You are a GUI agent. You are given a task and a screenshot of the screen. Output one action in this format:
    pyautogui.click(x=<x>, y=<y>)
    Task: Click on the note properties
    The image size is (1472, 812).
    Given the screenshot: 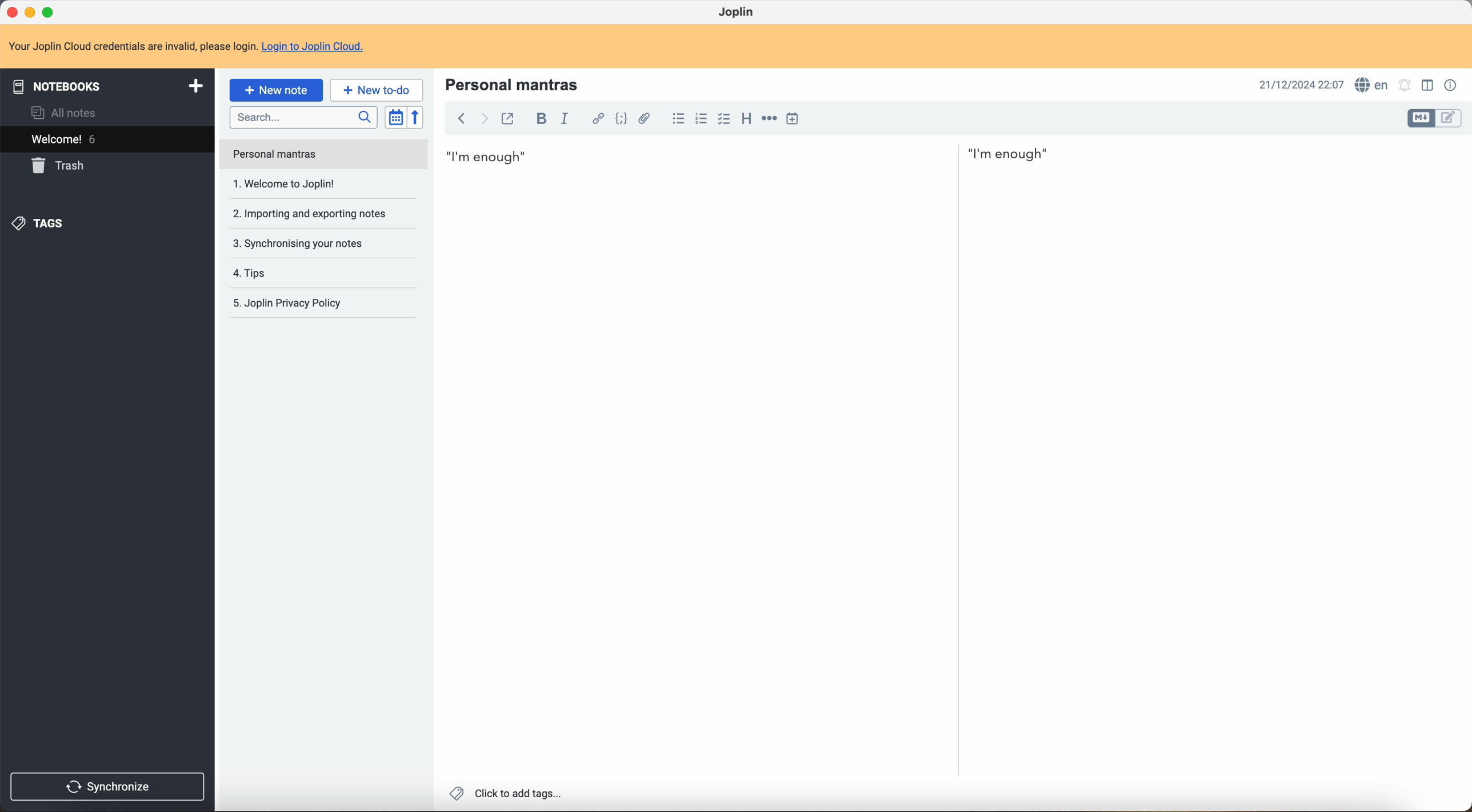 What is the action you would take?
    pyautogui.click(x=1451, y=86)
    